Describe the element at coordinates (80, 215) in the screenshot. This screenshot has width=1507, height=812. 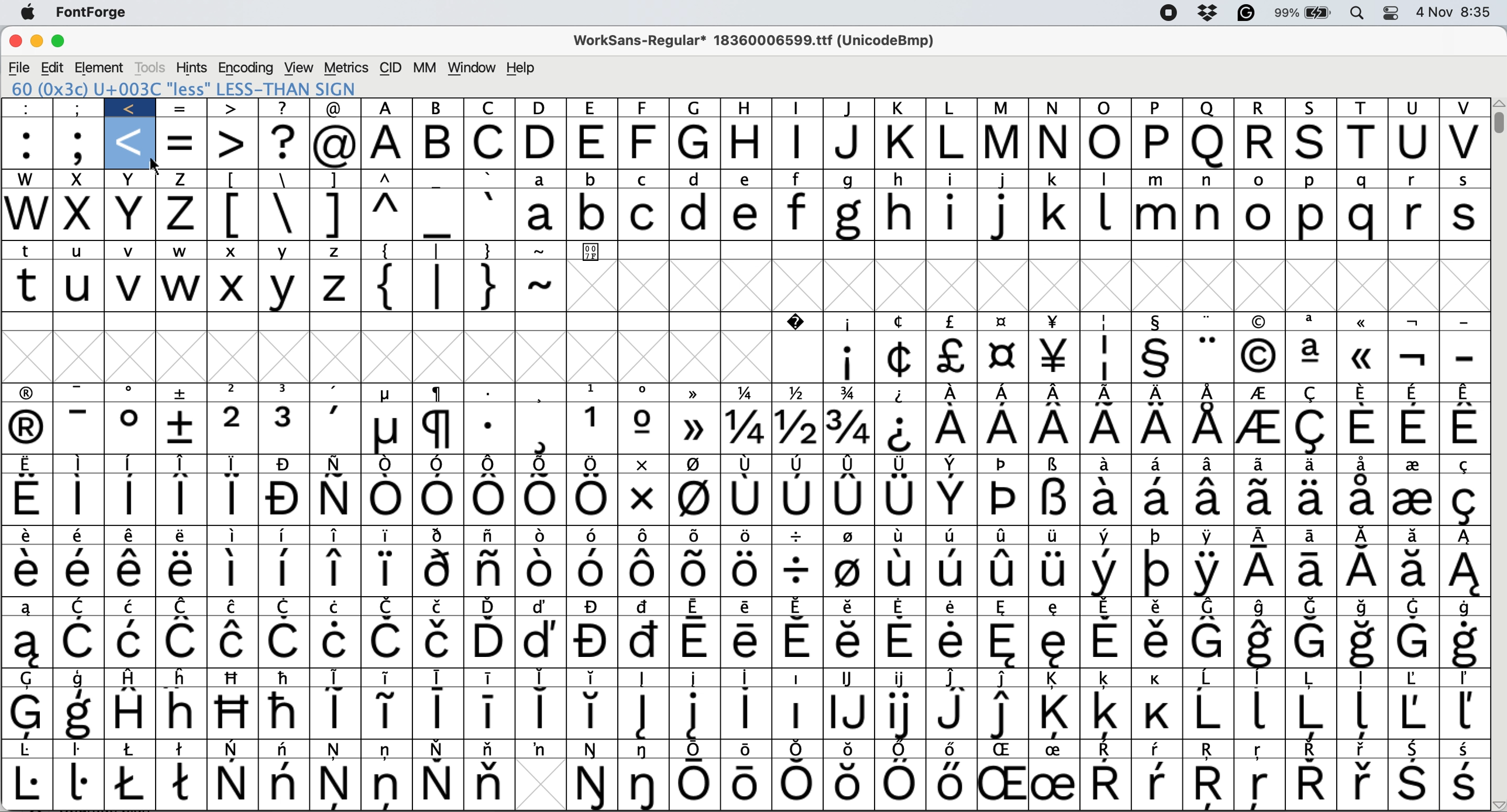
I see `x` at that location.